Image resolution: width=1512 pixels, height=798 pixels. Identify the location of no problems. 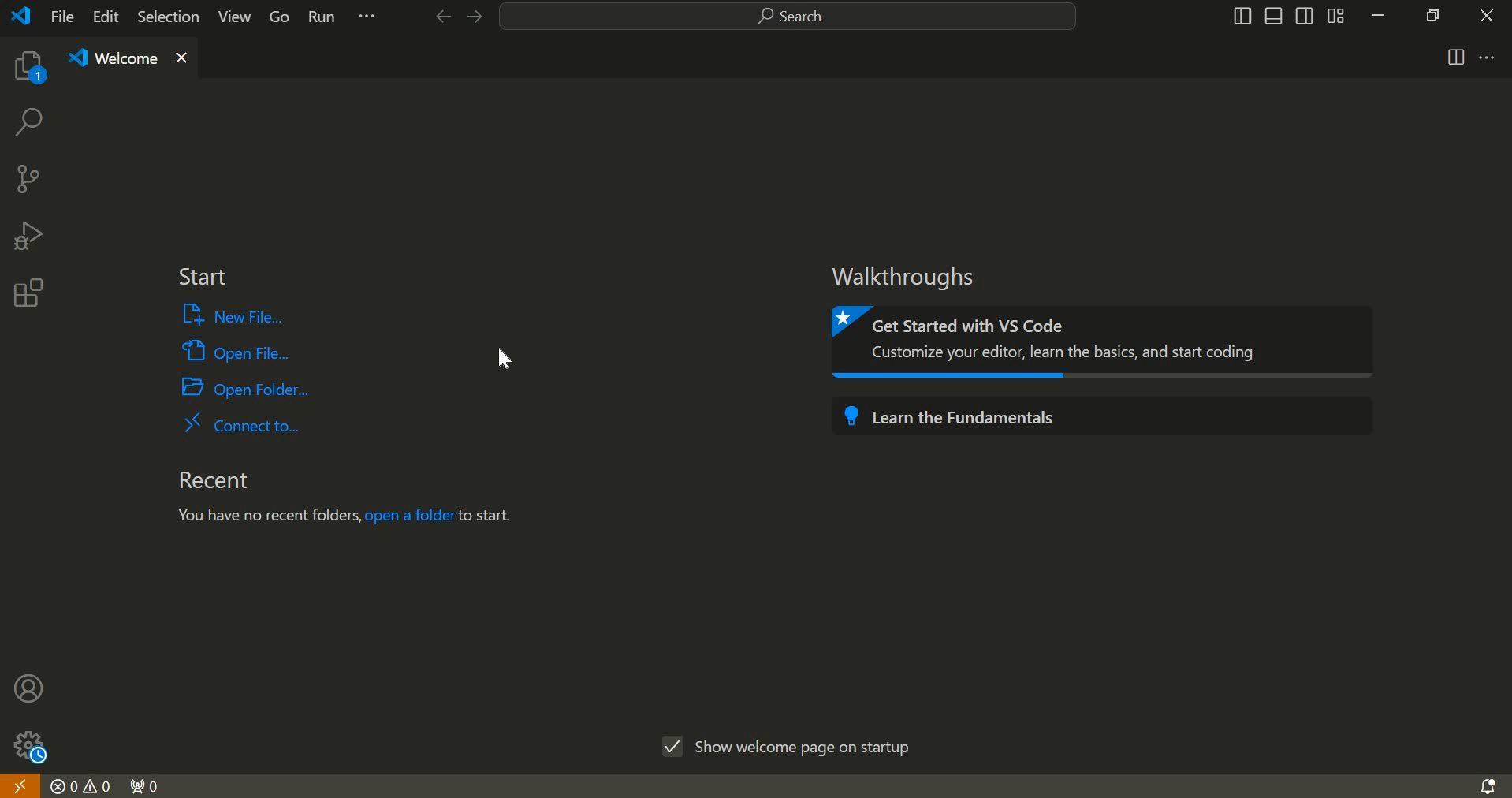
(81, 786).